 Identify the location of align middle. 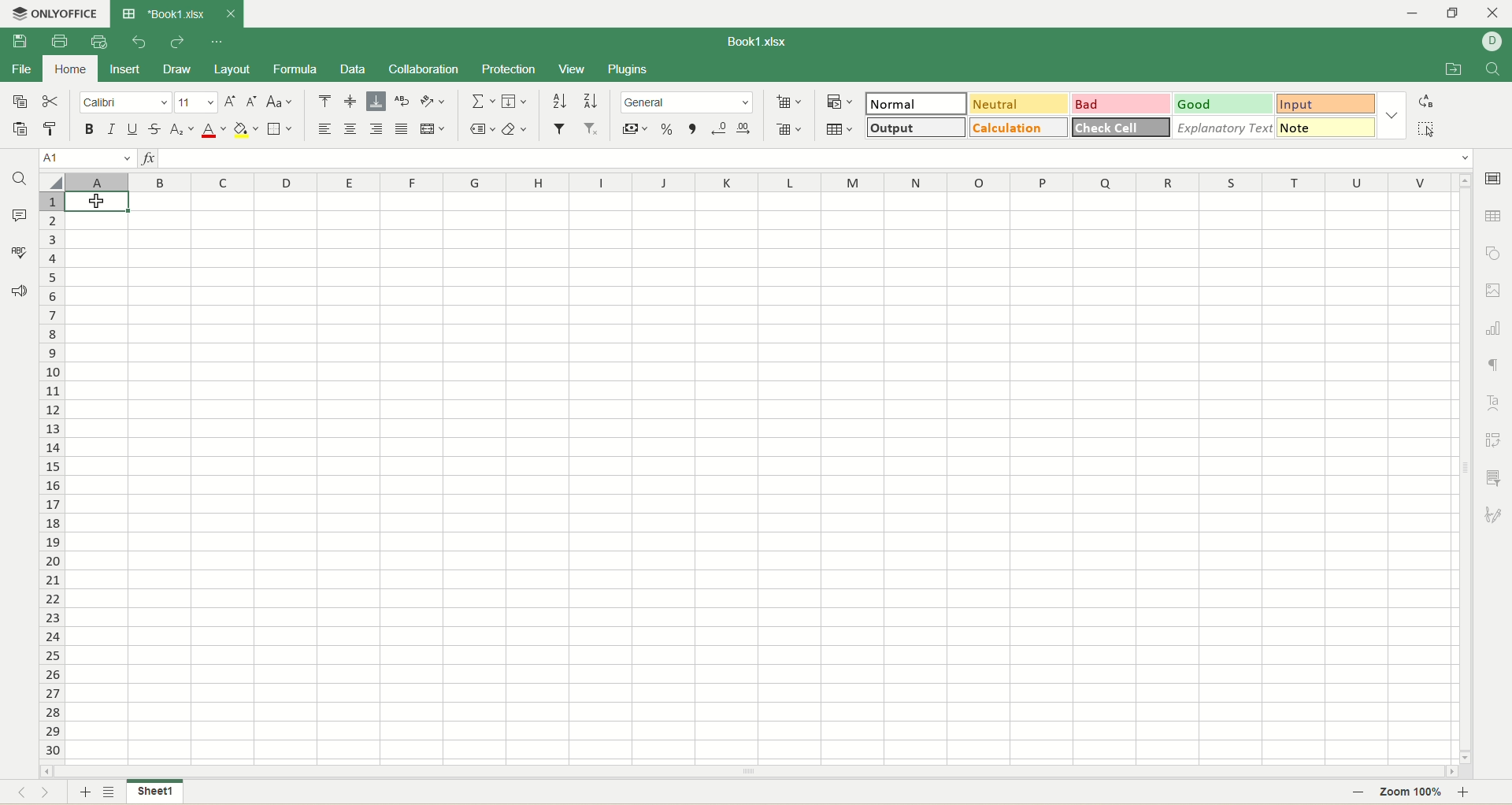
(353, 102).